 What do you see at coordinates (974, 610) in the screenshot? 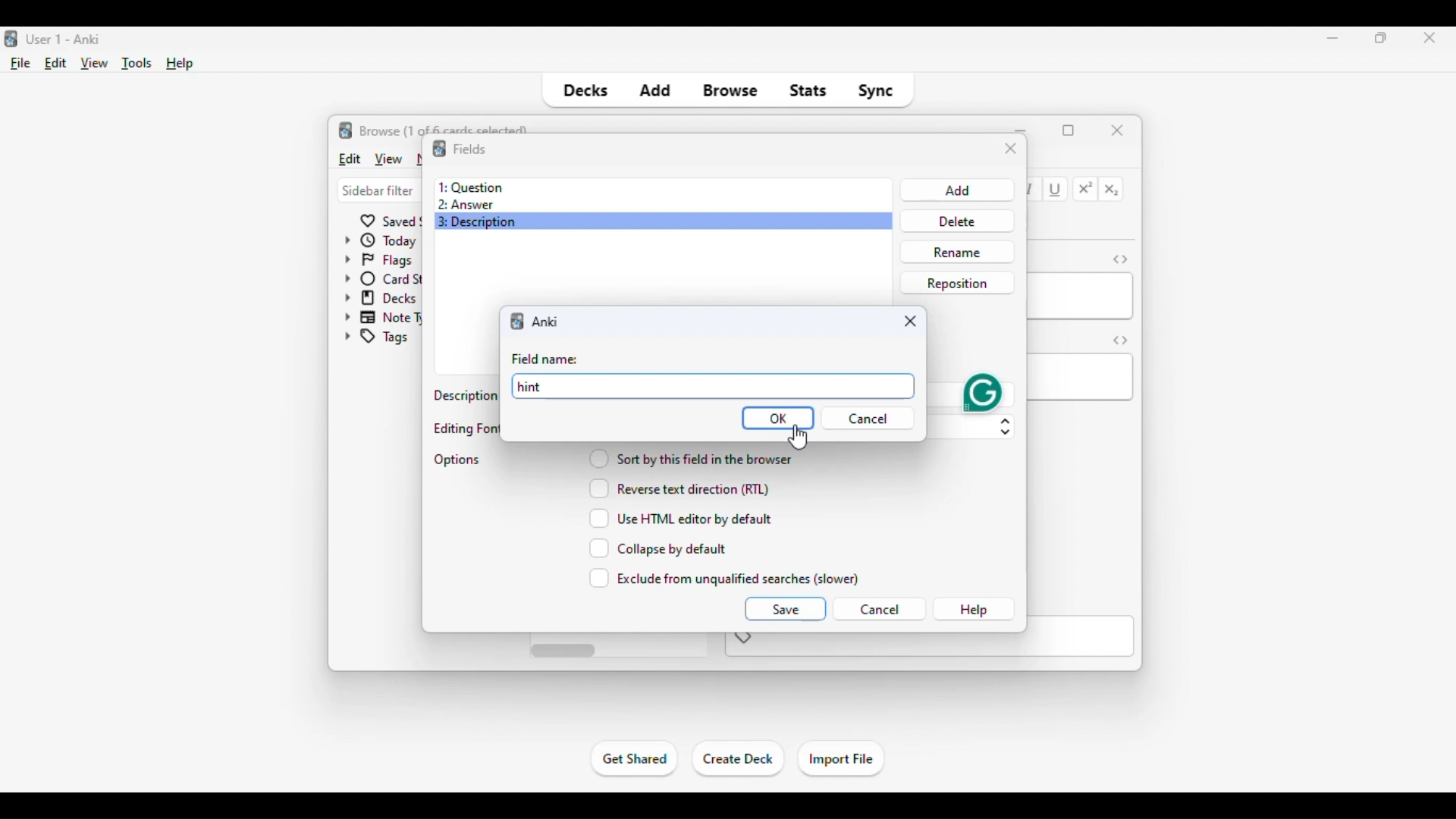
I see `help` at bounding box center [974, 610].